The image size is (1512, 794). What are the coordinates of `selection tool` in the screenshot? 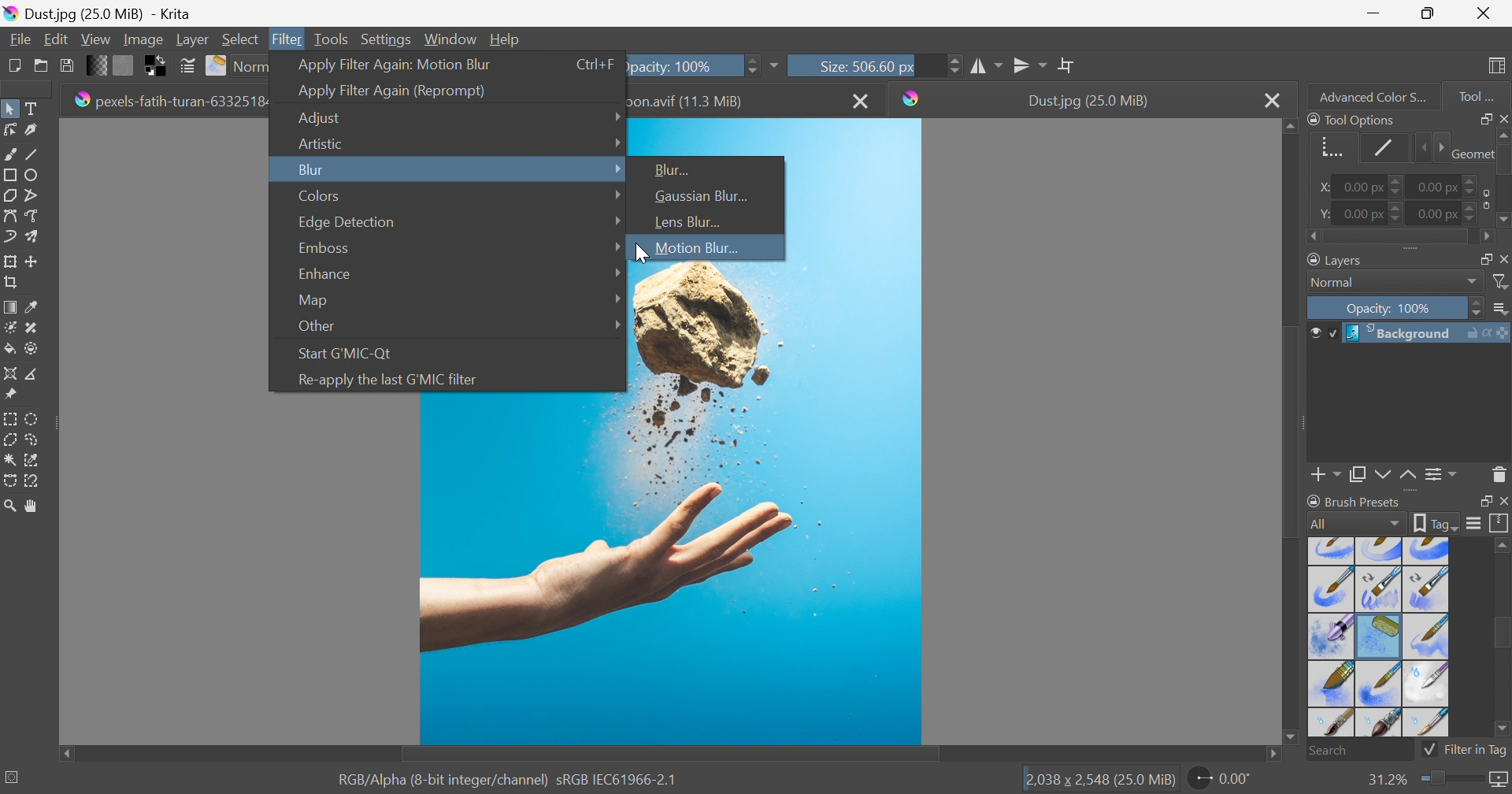 It's located at (9, 483).